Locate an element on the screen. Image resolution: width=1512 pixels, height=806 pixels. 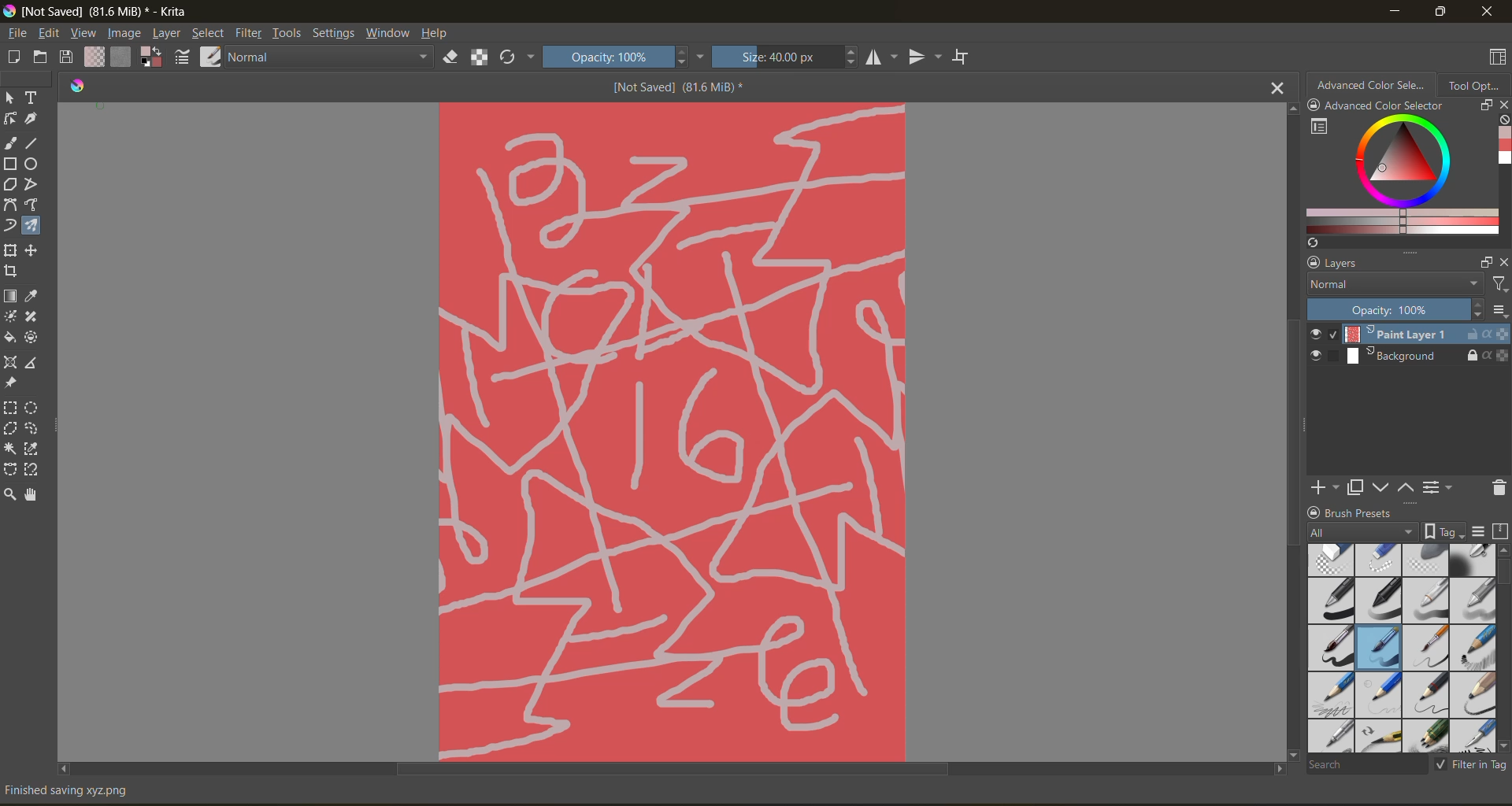
choose workspace is located at coordinates (1494, 59).